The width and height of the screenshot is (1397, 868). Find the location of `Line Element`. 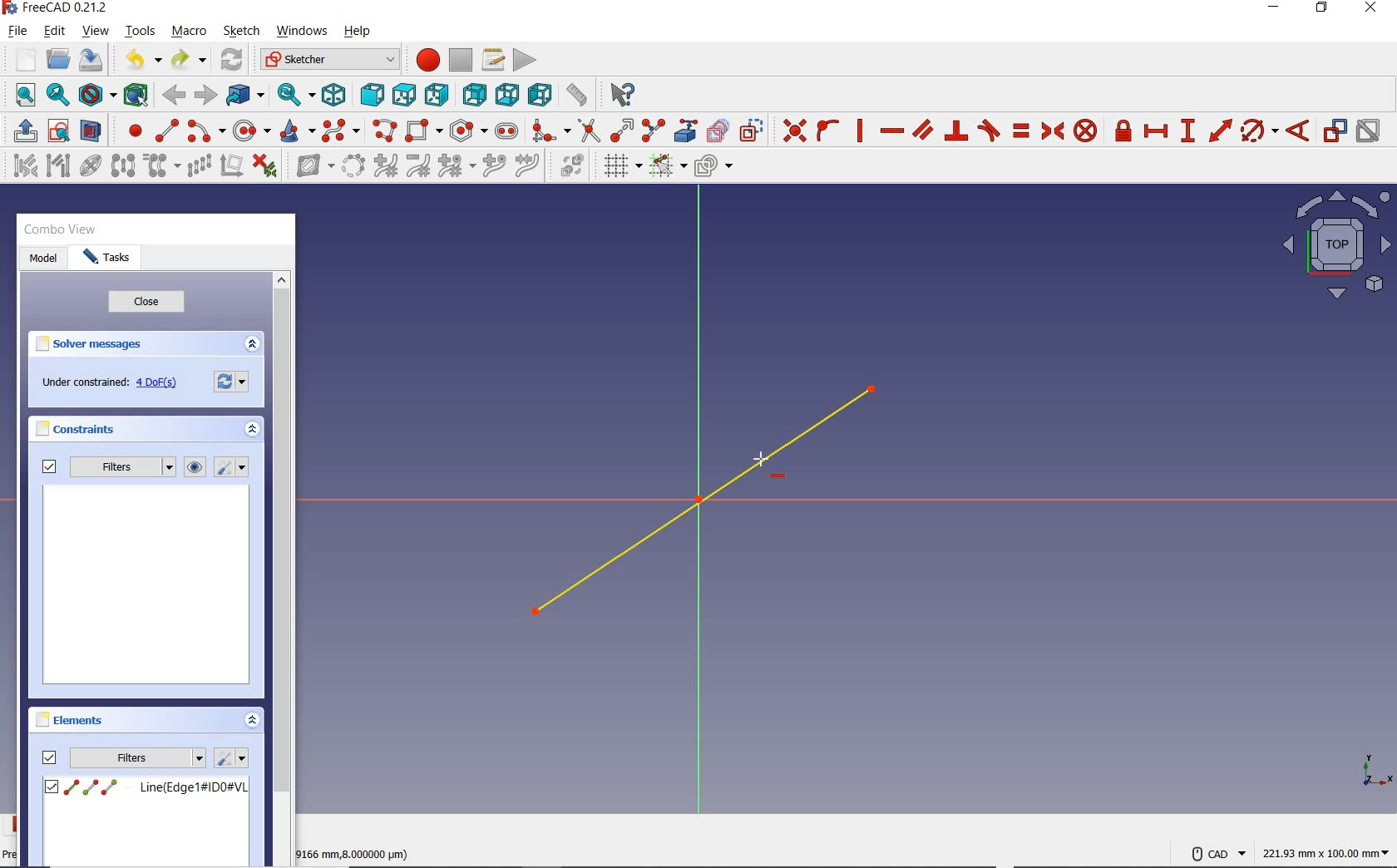

Line Element is located at coordinates (146, 787).